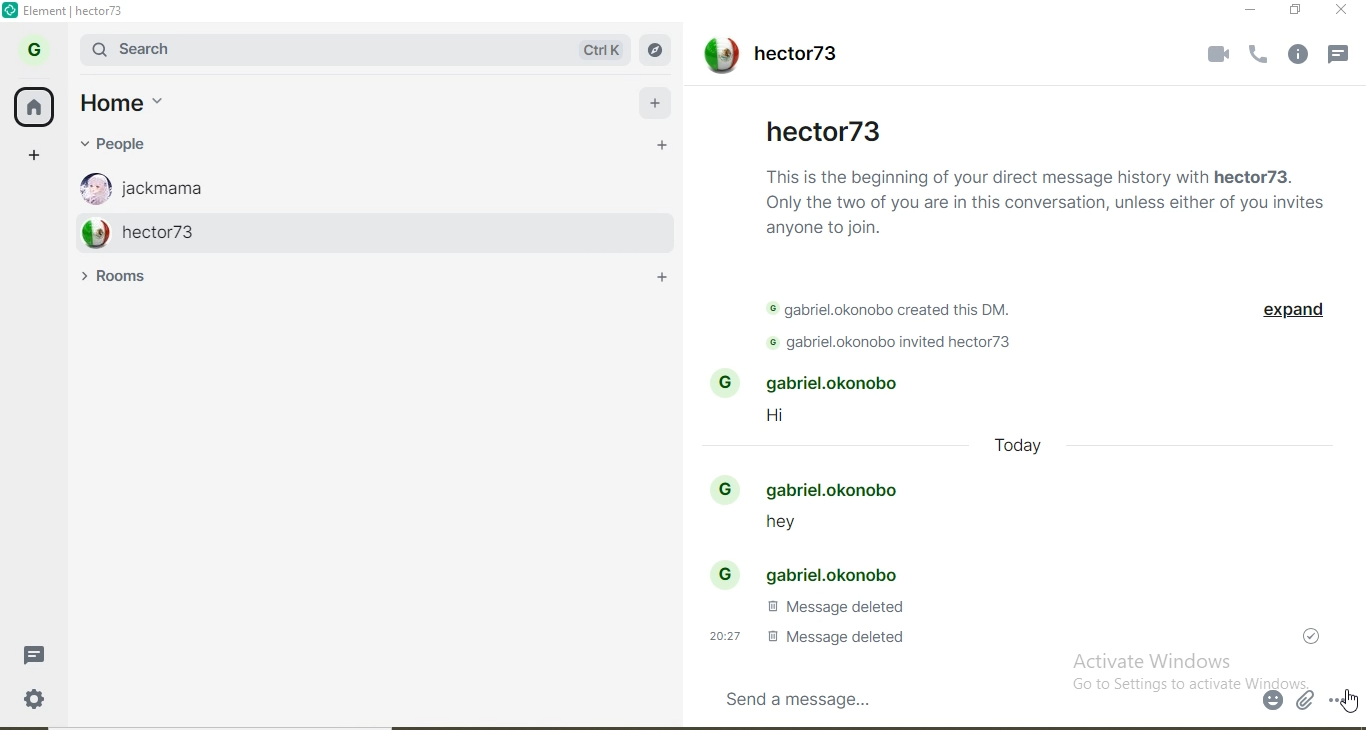  What do you see at coordinates (801, 636) in the screenshot?
I see `text 5` at bounding box center [801, 636].